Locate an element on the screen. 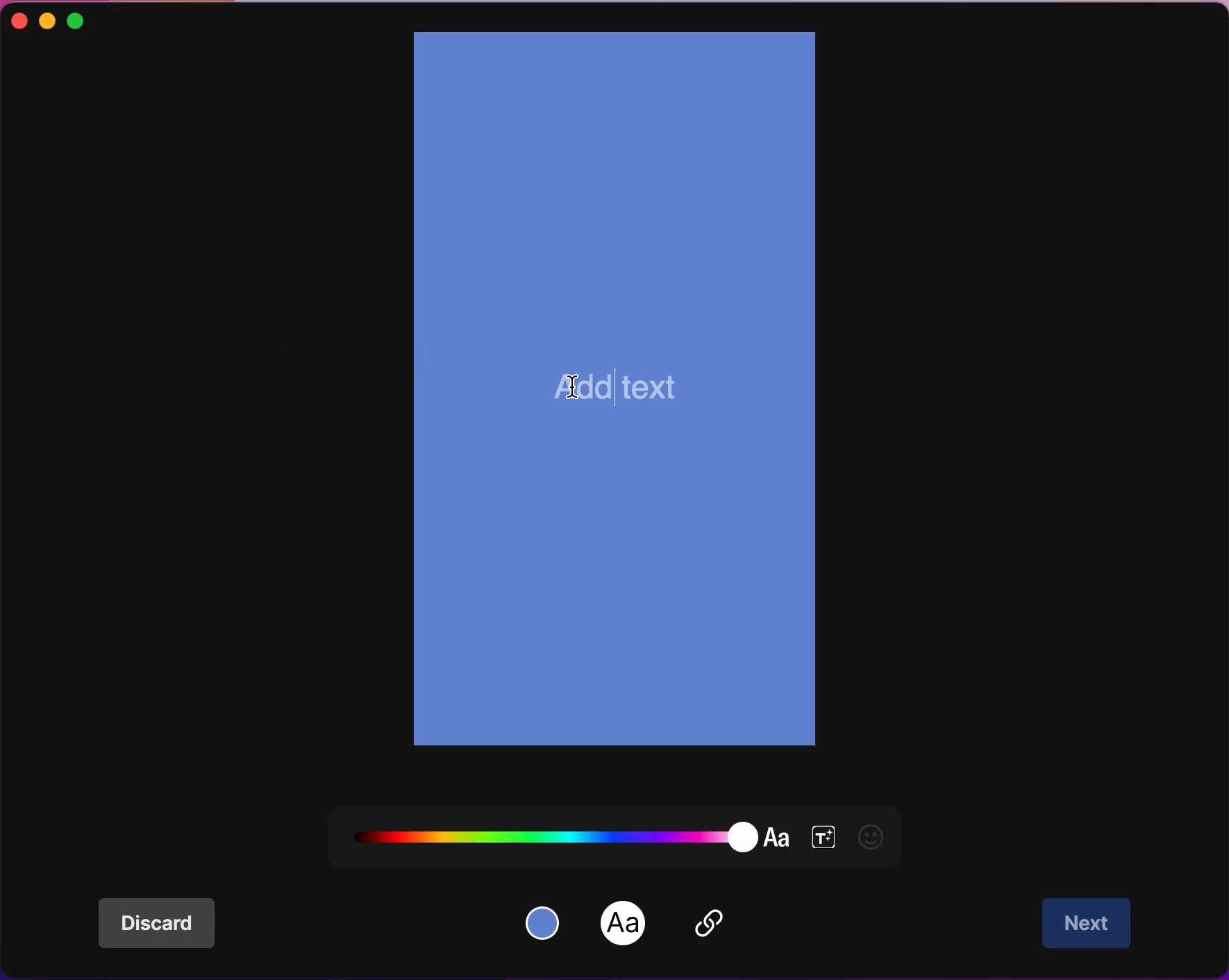 Image resolution: width=1229 pixels, height=980 pixels. font is located at coordinates (624, 924).